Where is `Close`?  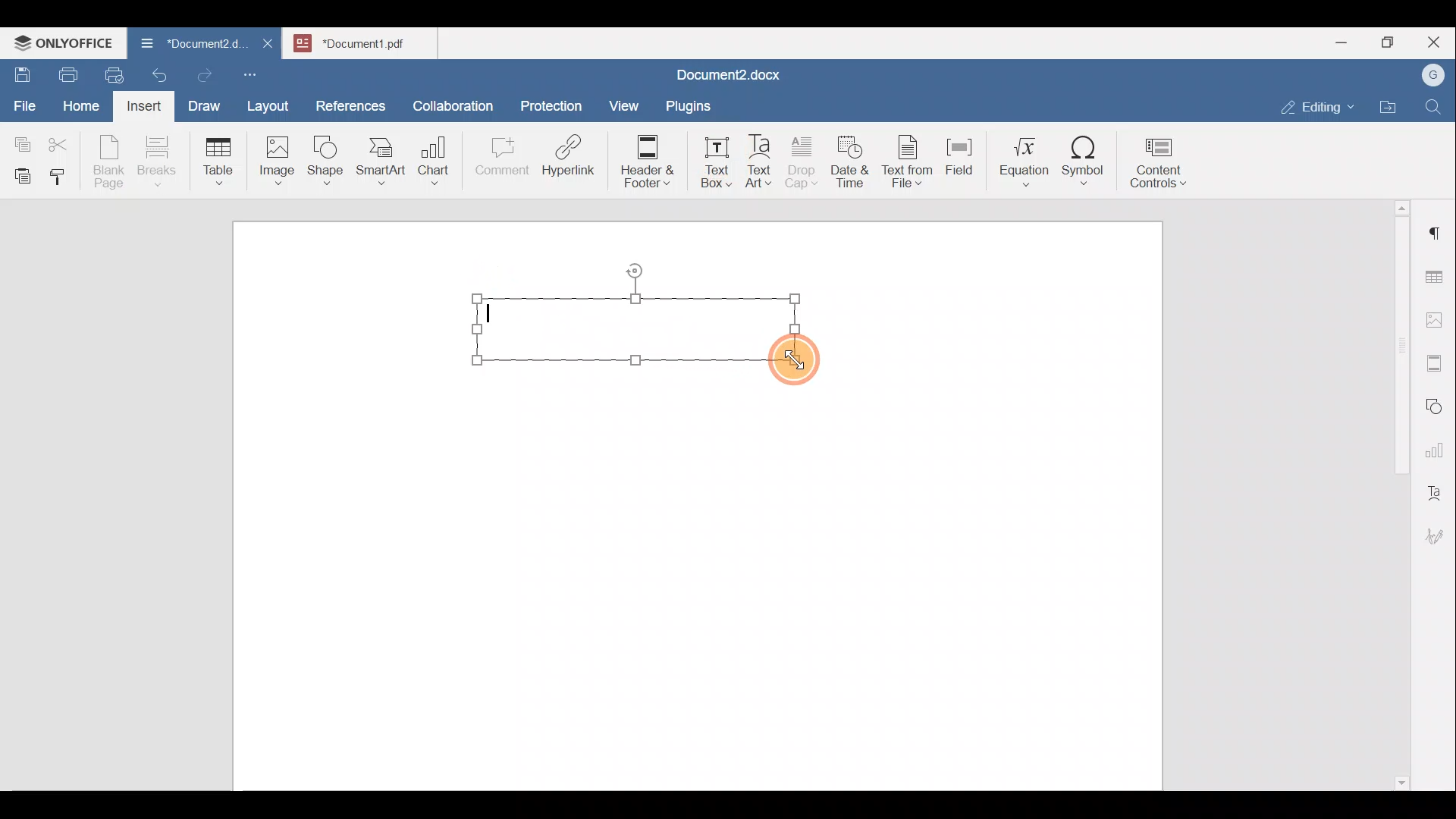 Close is located at coordinates (1436, 43).